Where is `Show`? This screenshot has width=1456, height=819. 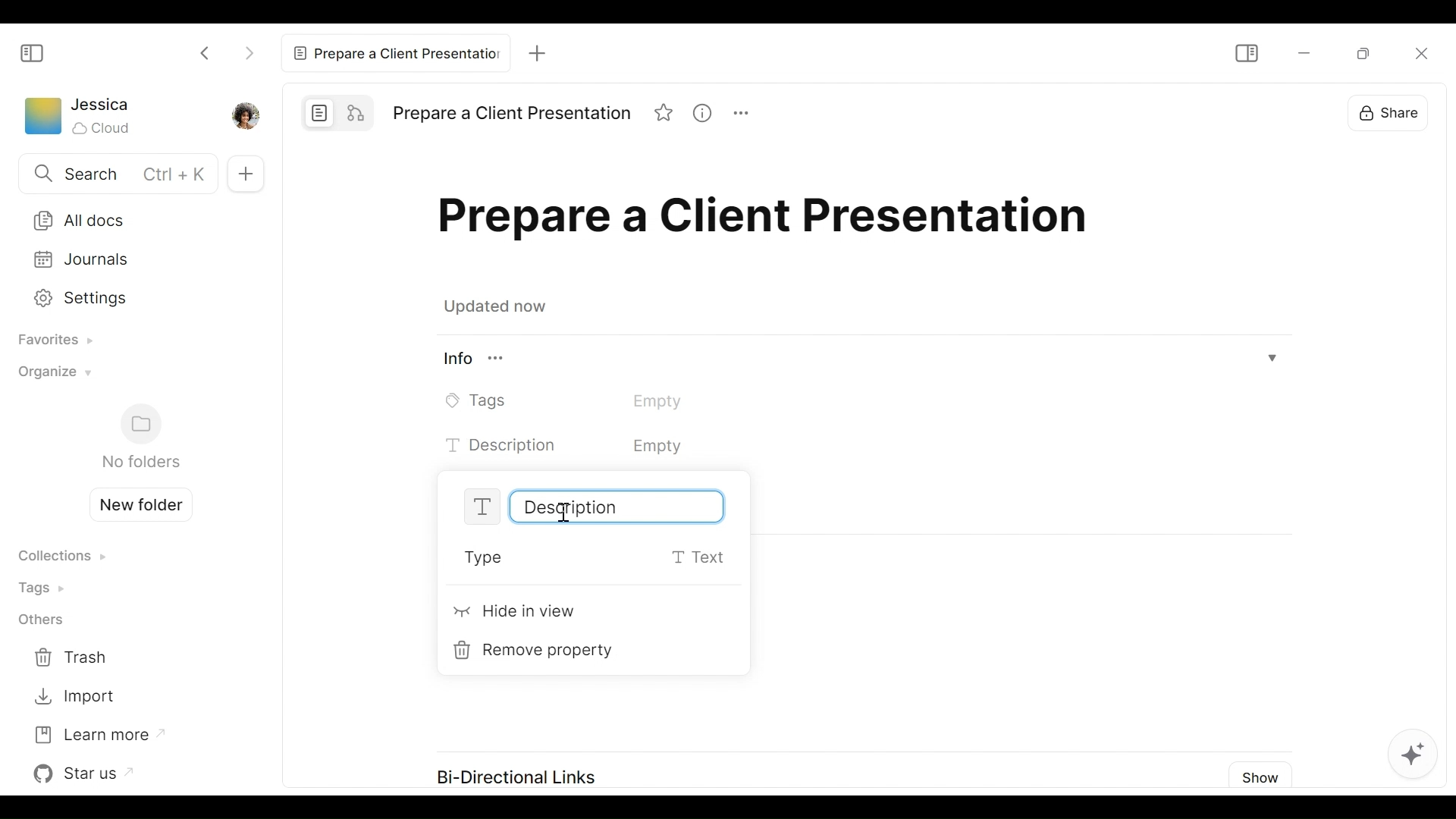
Show is located at coordinates (1263, 775).